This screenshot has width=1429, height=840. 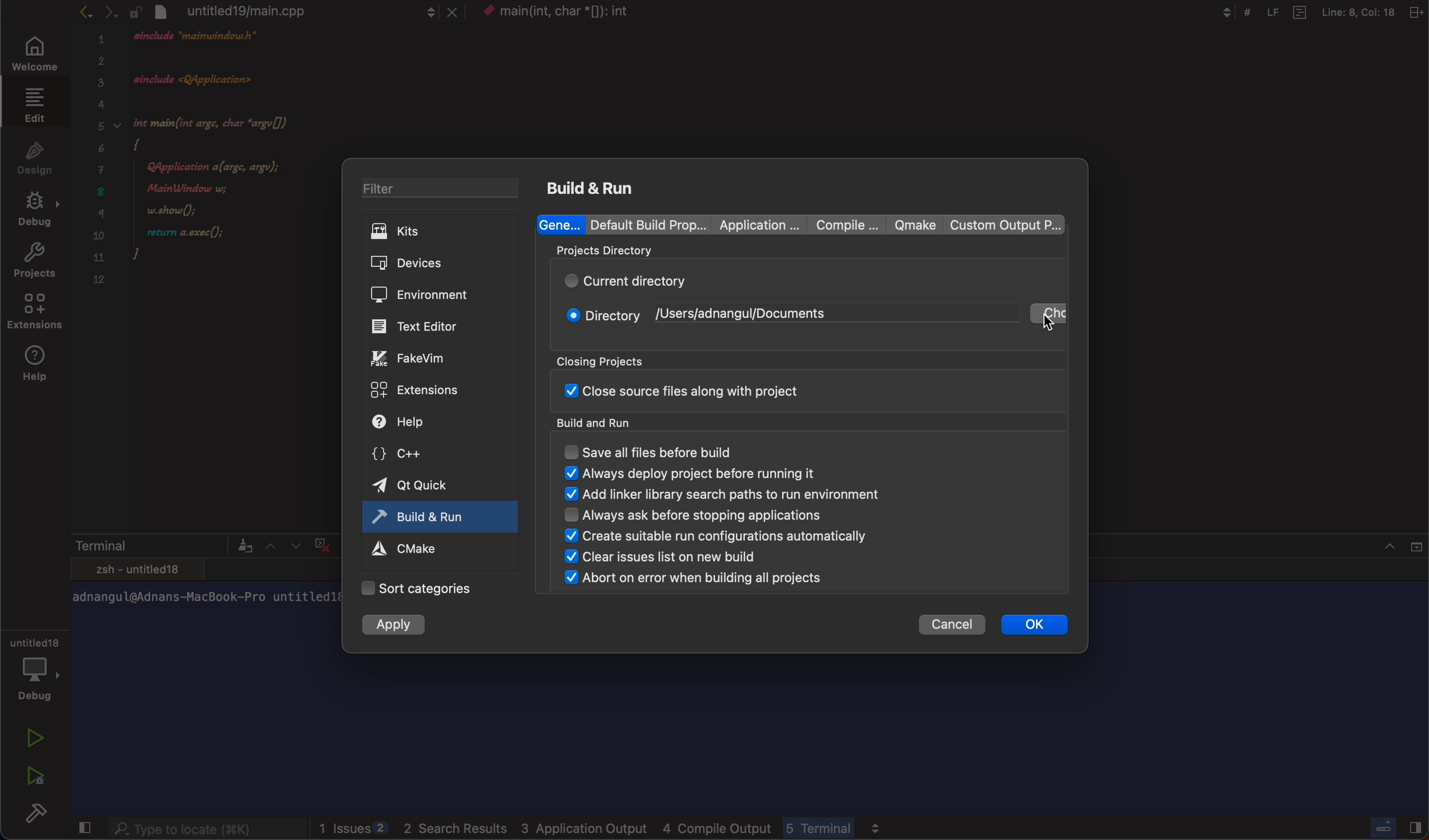 What do you see at coordinates (1004, 225) in the screenshot?
I see `custom output` at bounding box center [1004, 225].